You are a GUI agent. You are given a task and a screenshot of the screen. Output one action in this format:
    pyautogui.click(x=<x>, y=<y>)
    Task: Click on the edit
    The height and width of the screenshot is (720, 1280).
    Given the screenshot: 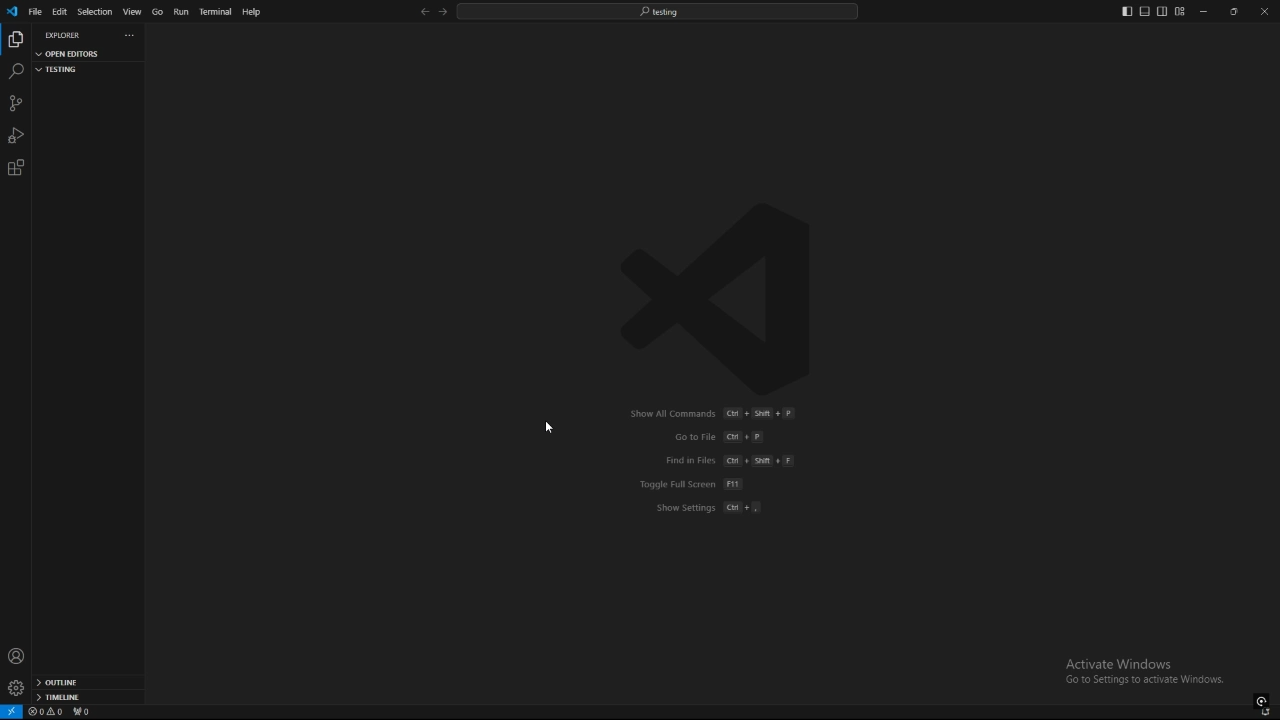 What is the action you would take?
    pyautogui.click(x=60, y=11)
    